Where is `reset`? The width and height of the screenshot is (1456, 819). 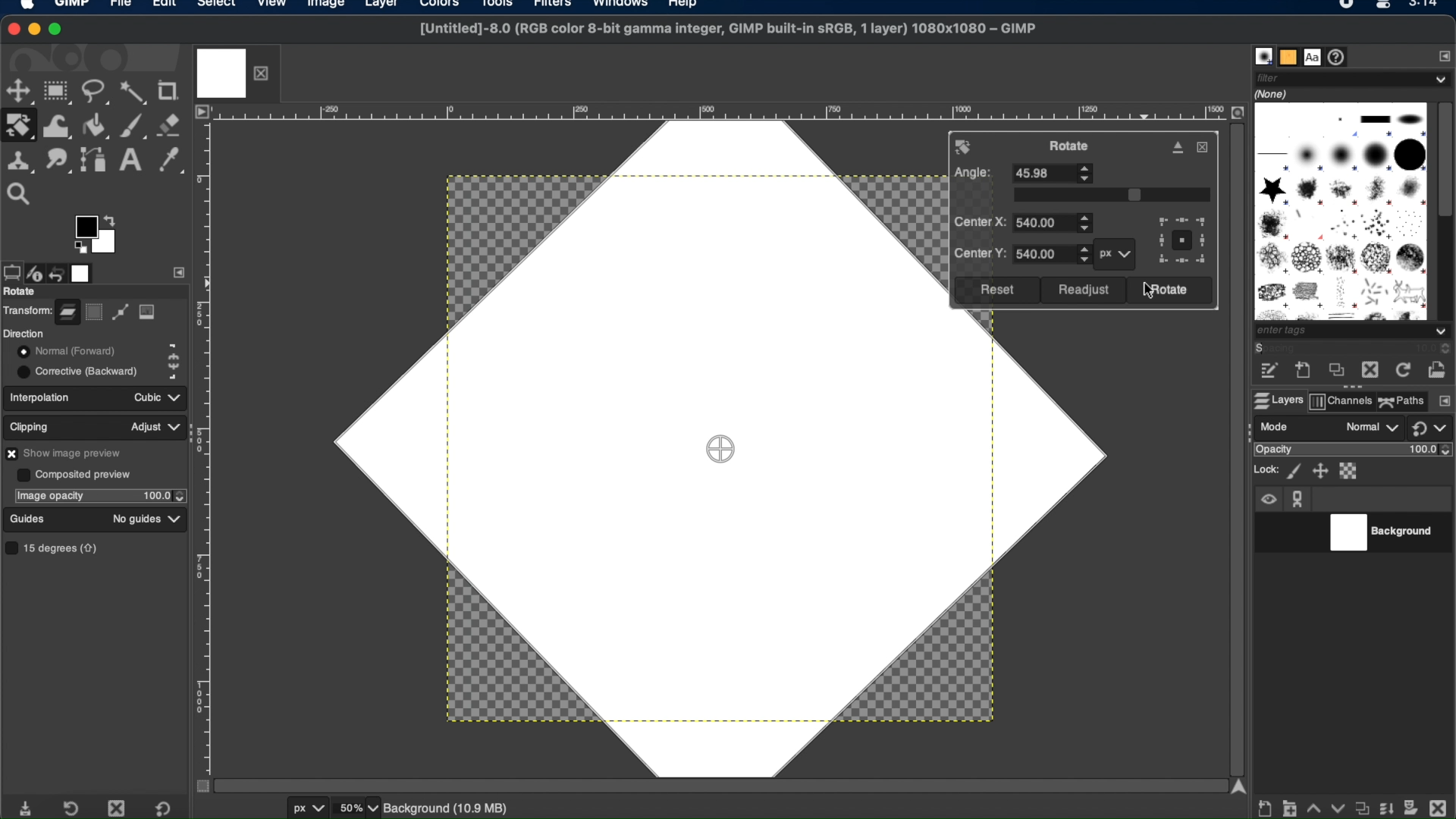 reset is located at coordinates (996, 290).